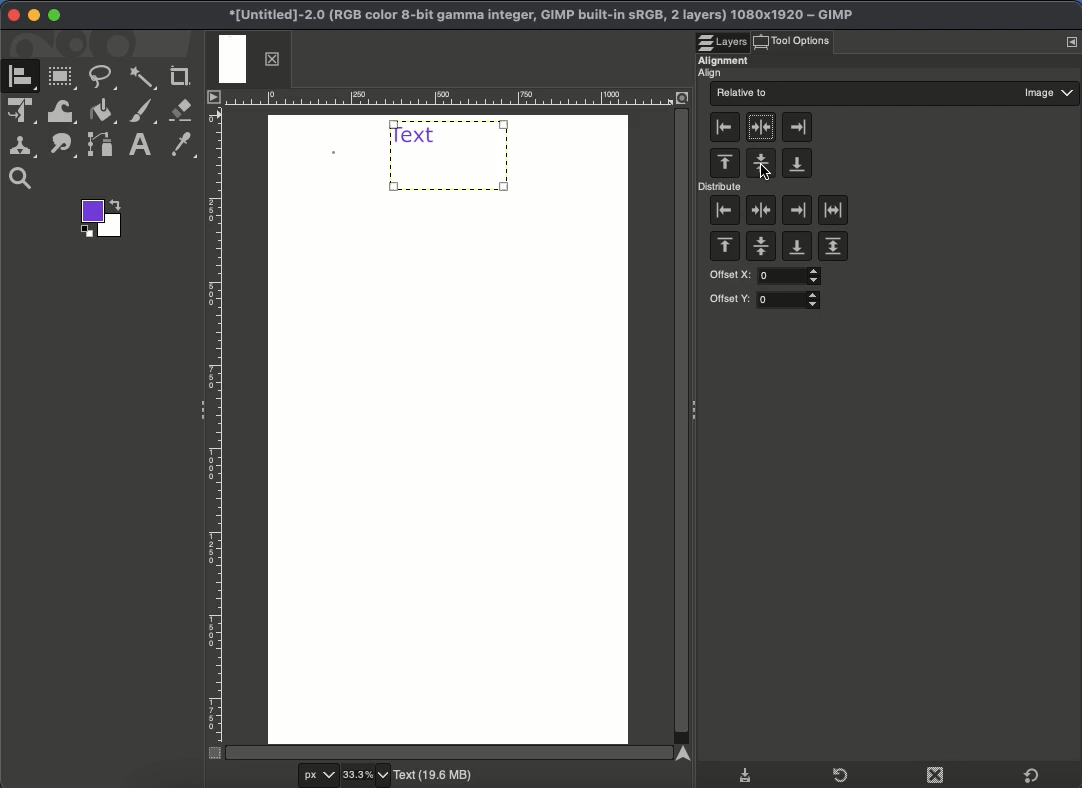 This screenshot has width=1082, height=788. What do you see at coordinates (763, 276) in the screenshot?
I see `Offset X:` at bounding box center [763, 276].